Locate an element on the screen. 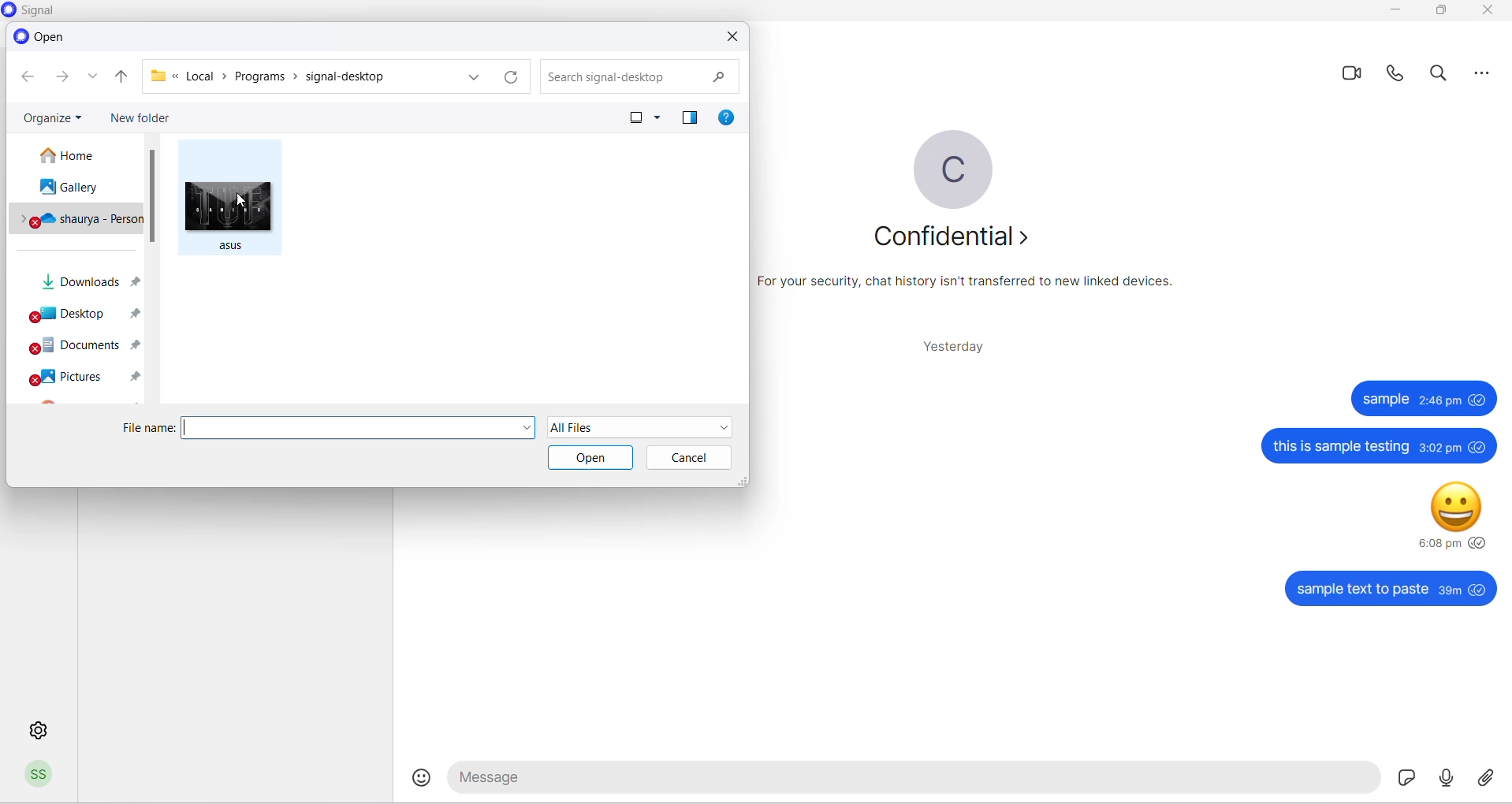 This screenshot has width=1512, height=804. seen is located at coordinates (1479, 542).